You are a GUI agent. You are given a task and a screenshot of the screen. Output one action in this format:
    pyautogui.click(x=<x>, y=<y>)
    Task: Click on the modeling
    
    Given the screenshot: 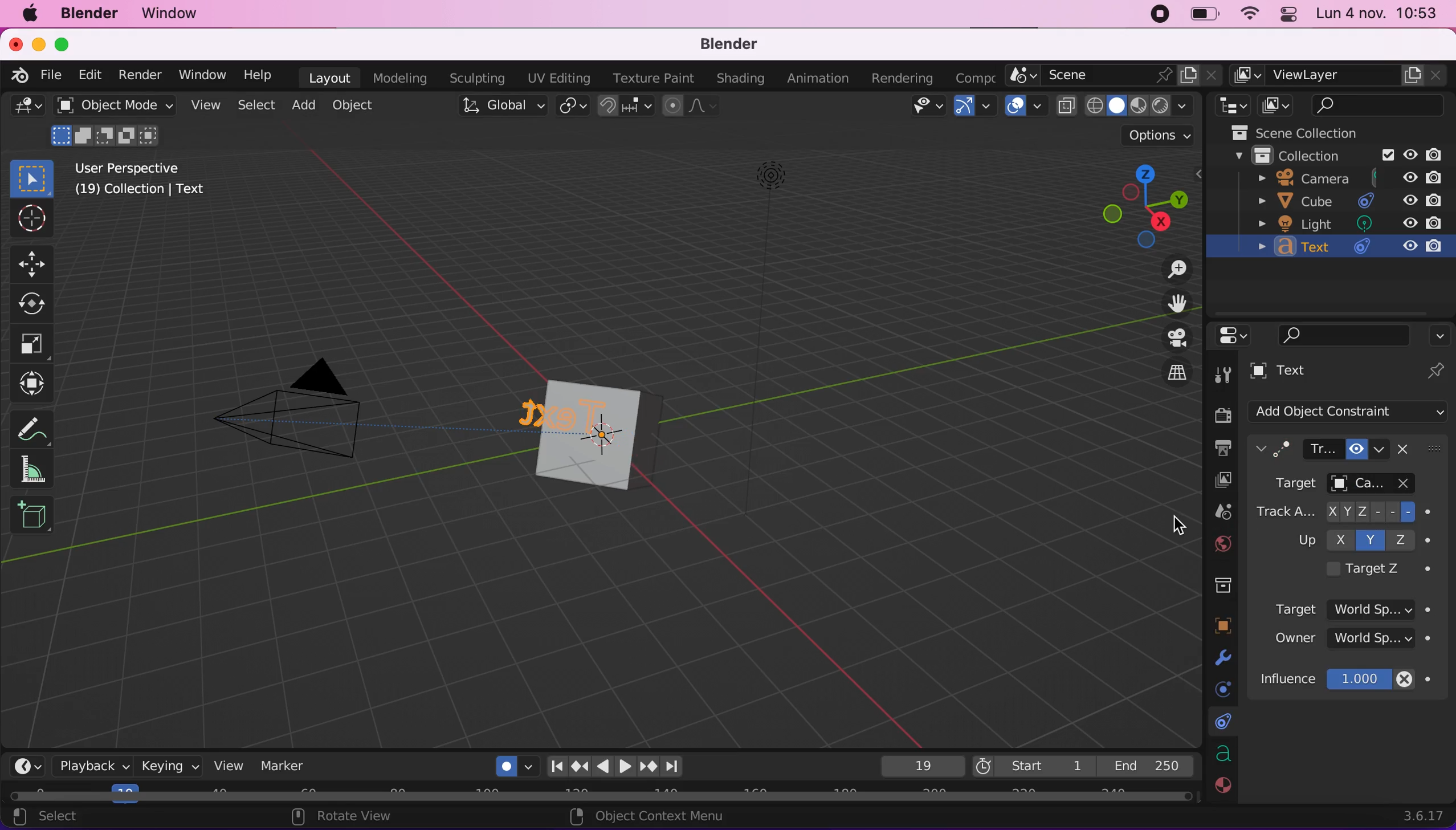 What is the action you would take?
    pyautogui.click(x=405, y=78)
    